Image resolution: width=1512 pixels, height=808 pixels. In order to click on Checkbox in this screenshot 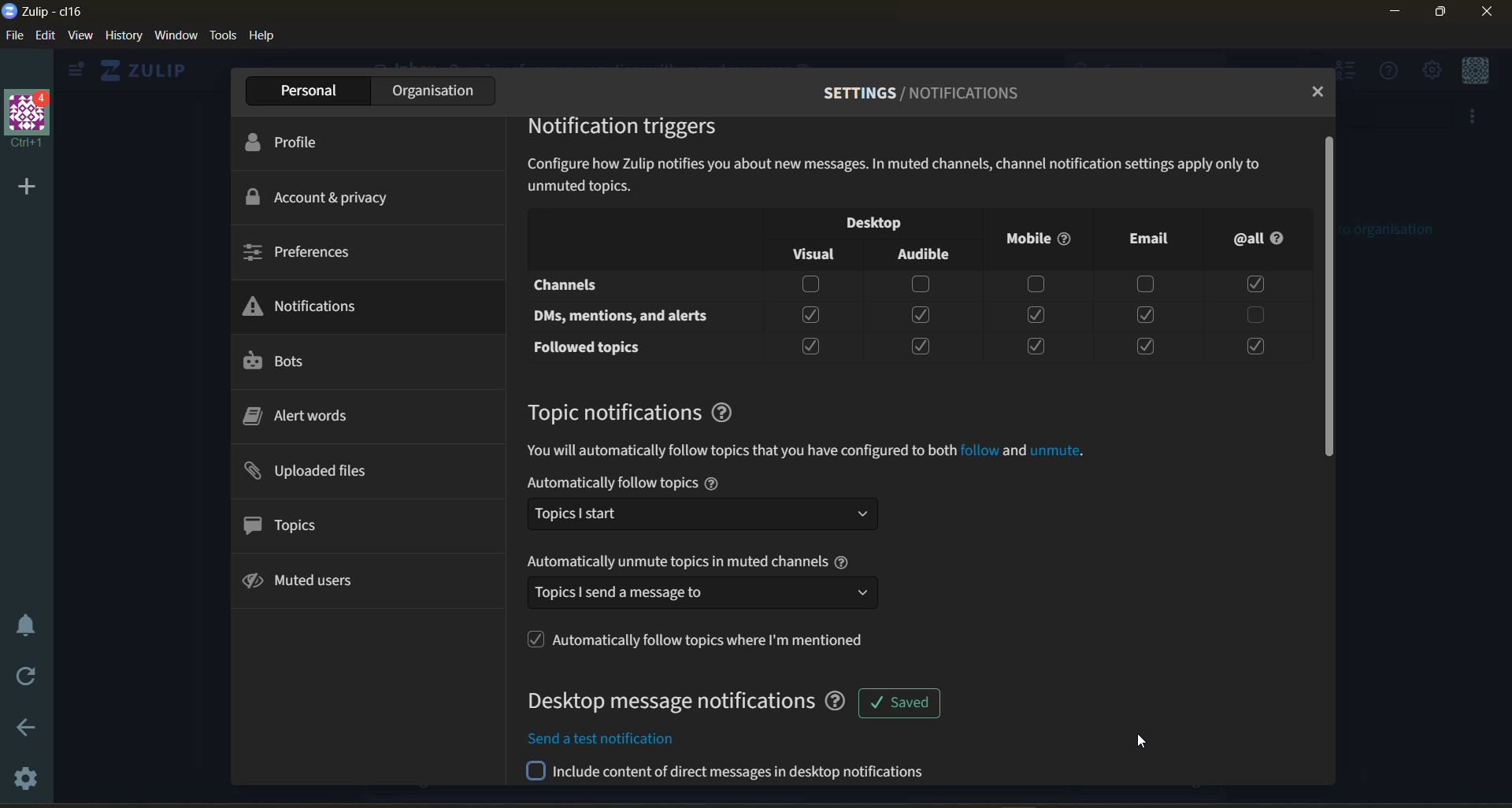, I will do `click(810, 317)`.